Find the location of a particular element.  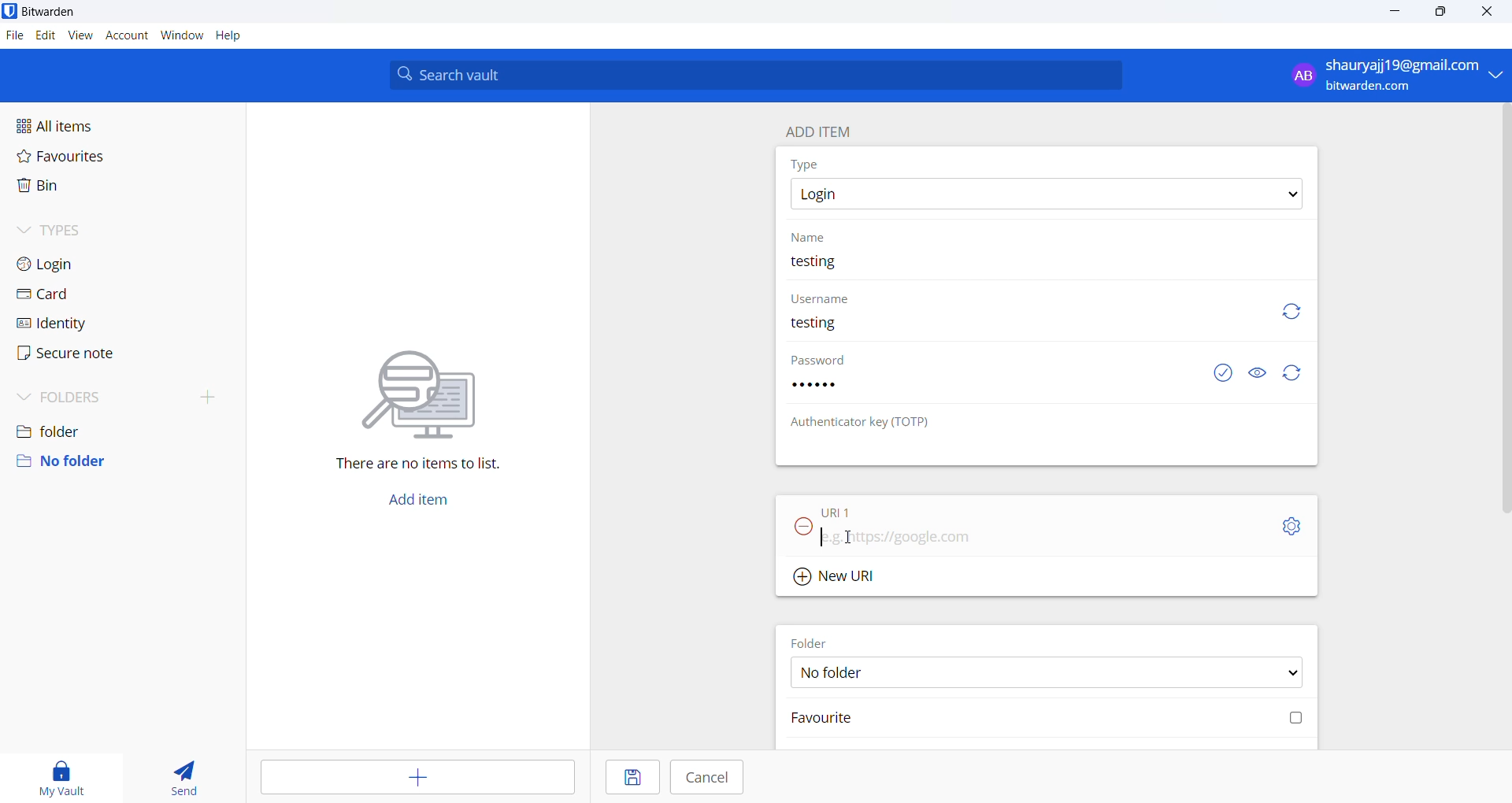

cancel is located at coordinates (706, 777).